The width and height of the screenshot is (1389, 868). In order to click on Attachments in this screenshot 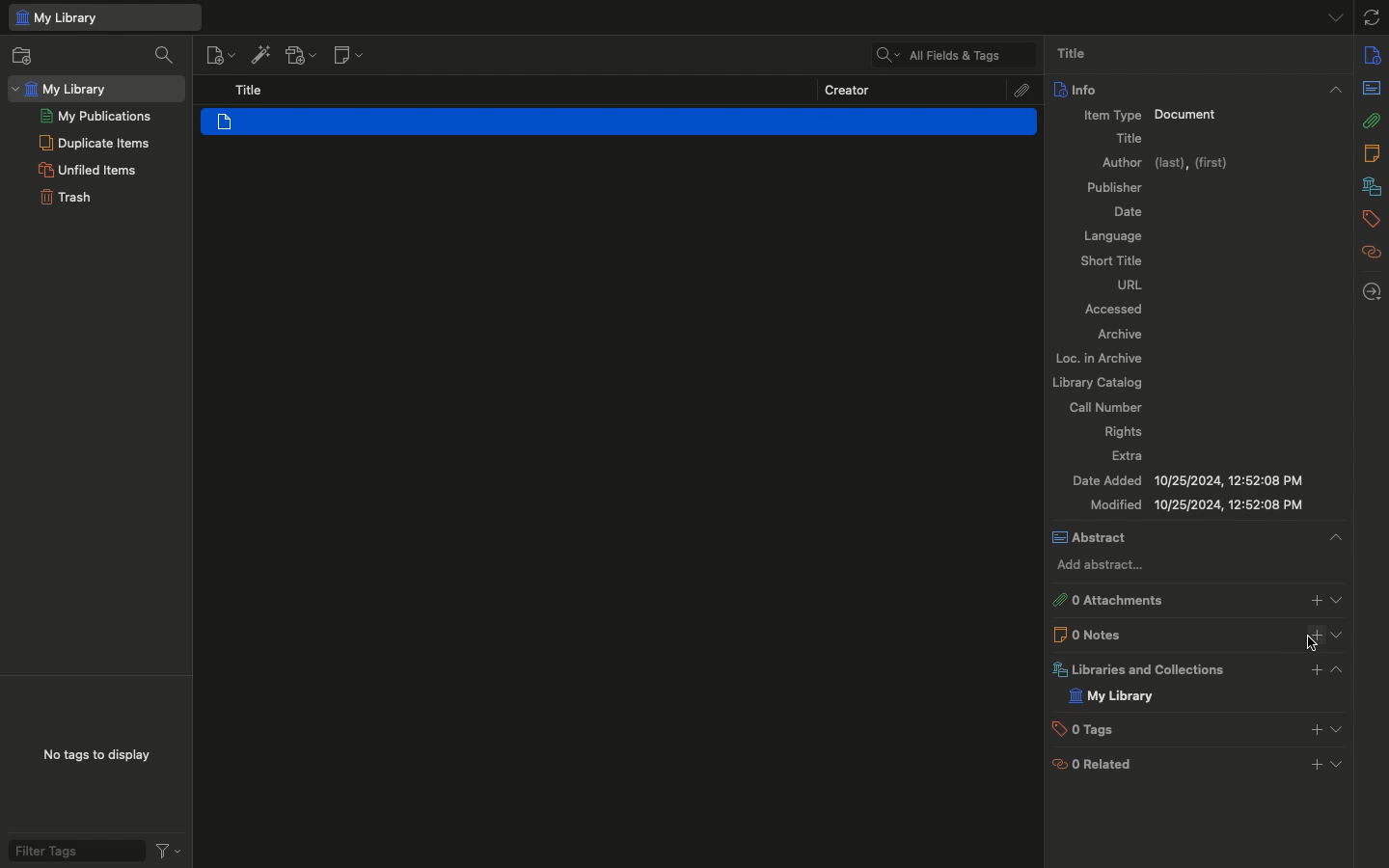, I will do `click(1111, 600)`.